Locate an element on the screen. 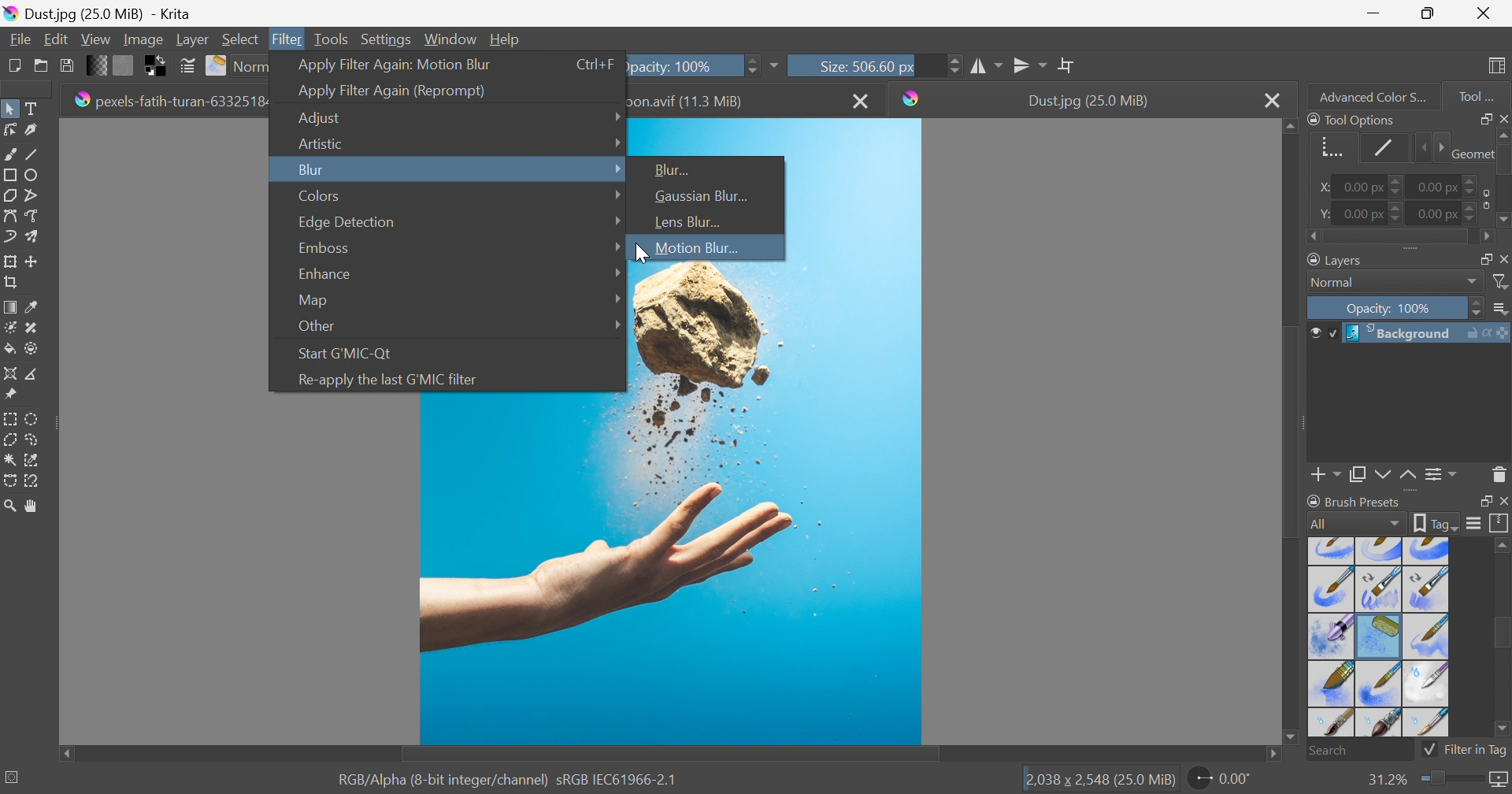 This screenshot has width=1512, height=794. Krita logo is located at coordinates (912, 98).